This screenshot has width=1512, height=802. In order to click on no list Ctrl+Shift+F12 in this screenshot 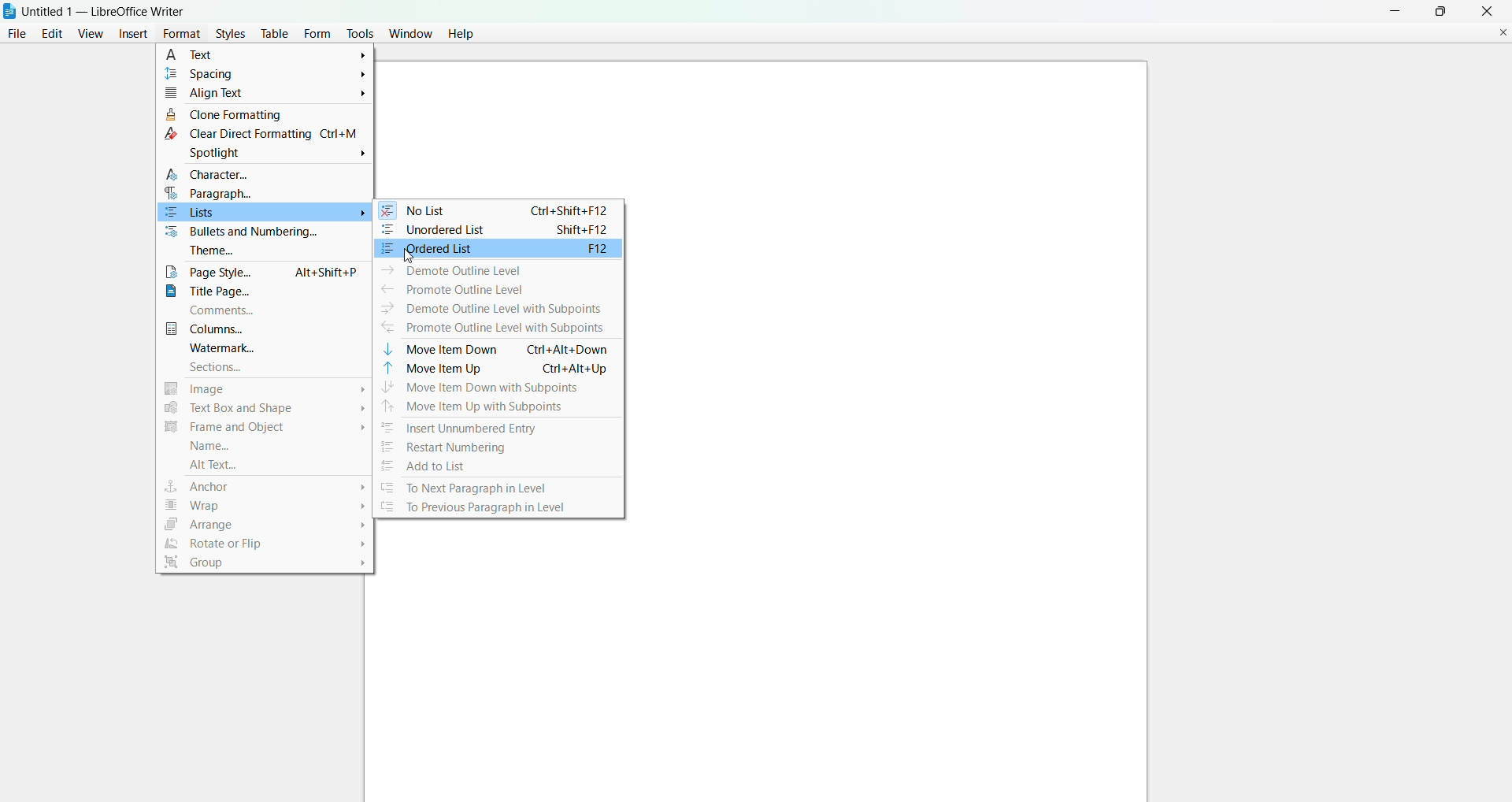, I will do `click(502, 210)`.